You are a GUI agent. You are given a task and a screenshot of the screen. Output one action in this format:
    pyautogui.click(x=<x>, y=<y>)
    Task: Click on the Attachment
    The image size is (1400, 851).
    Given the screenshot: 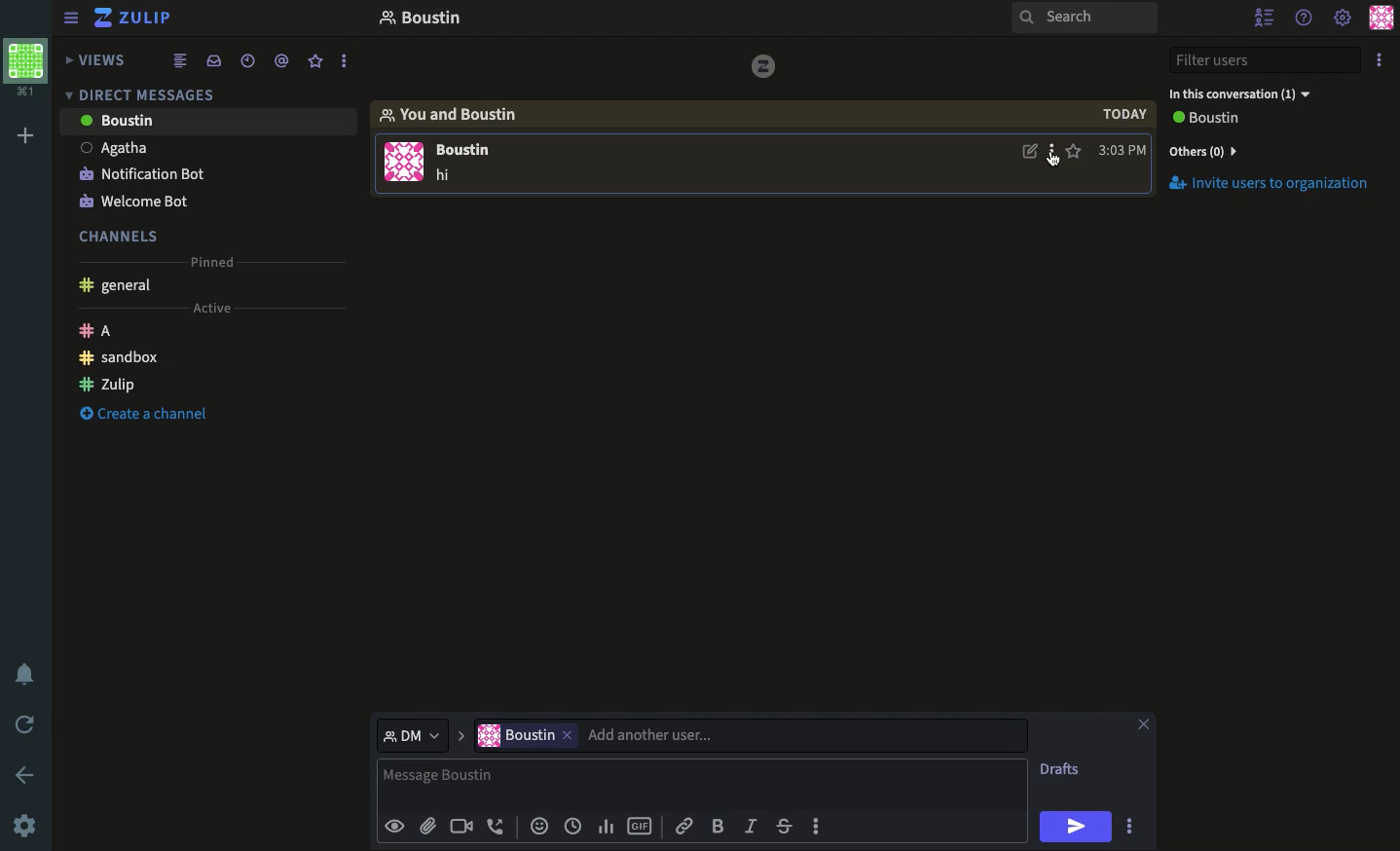 What is the action you would take?
    pyautogui.click(x=427, y=827)
    